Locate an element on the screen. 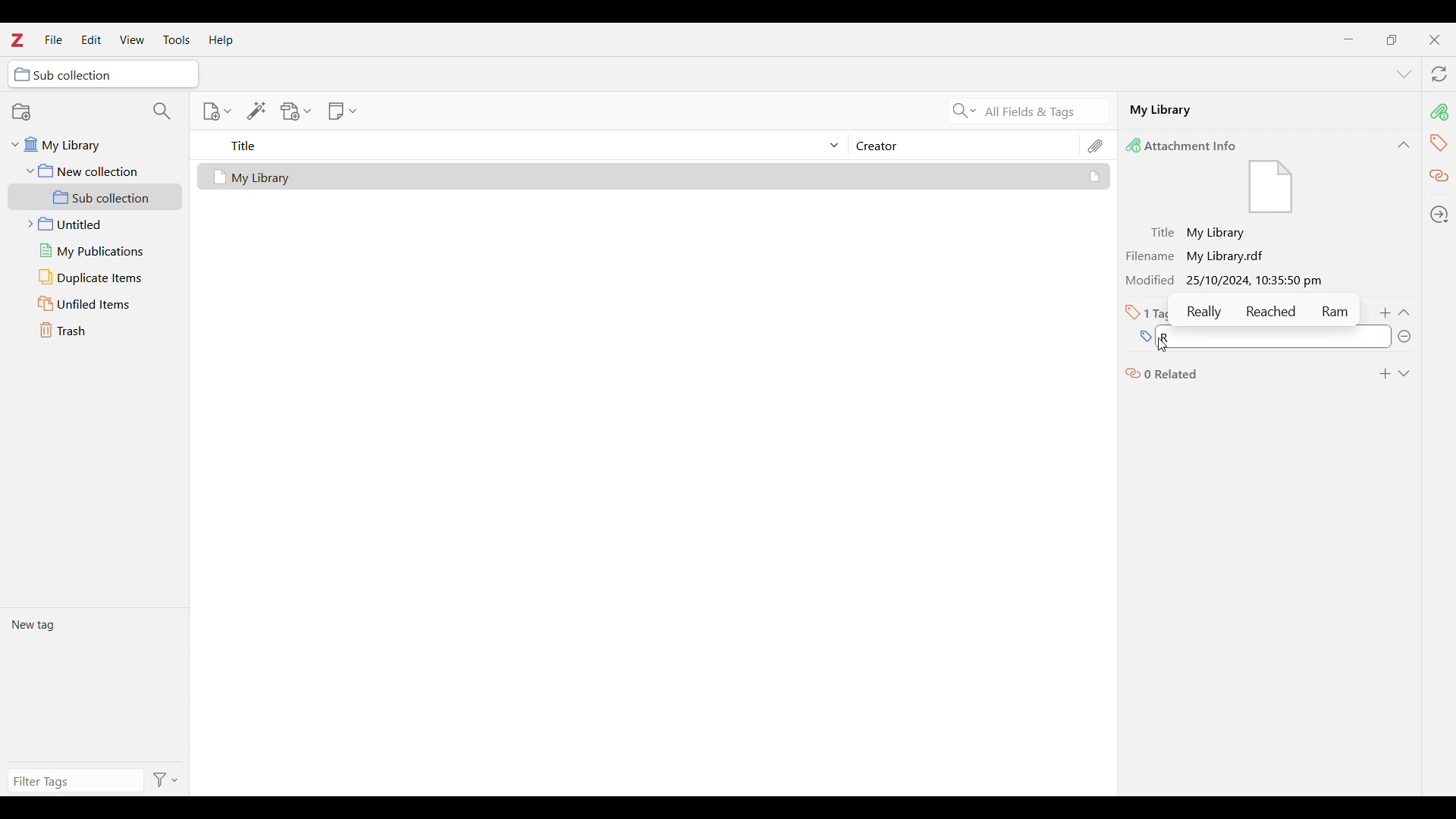  Sync with zotero.org is located at coordinates (1439, 74).